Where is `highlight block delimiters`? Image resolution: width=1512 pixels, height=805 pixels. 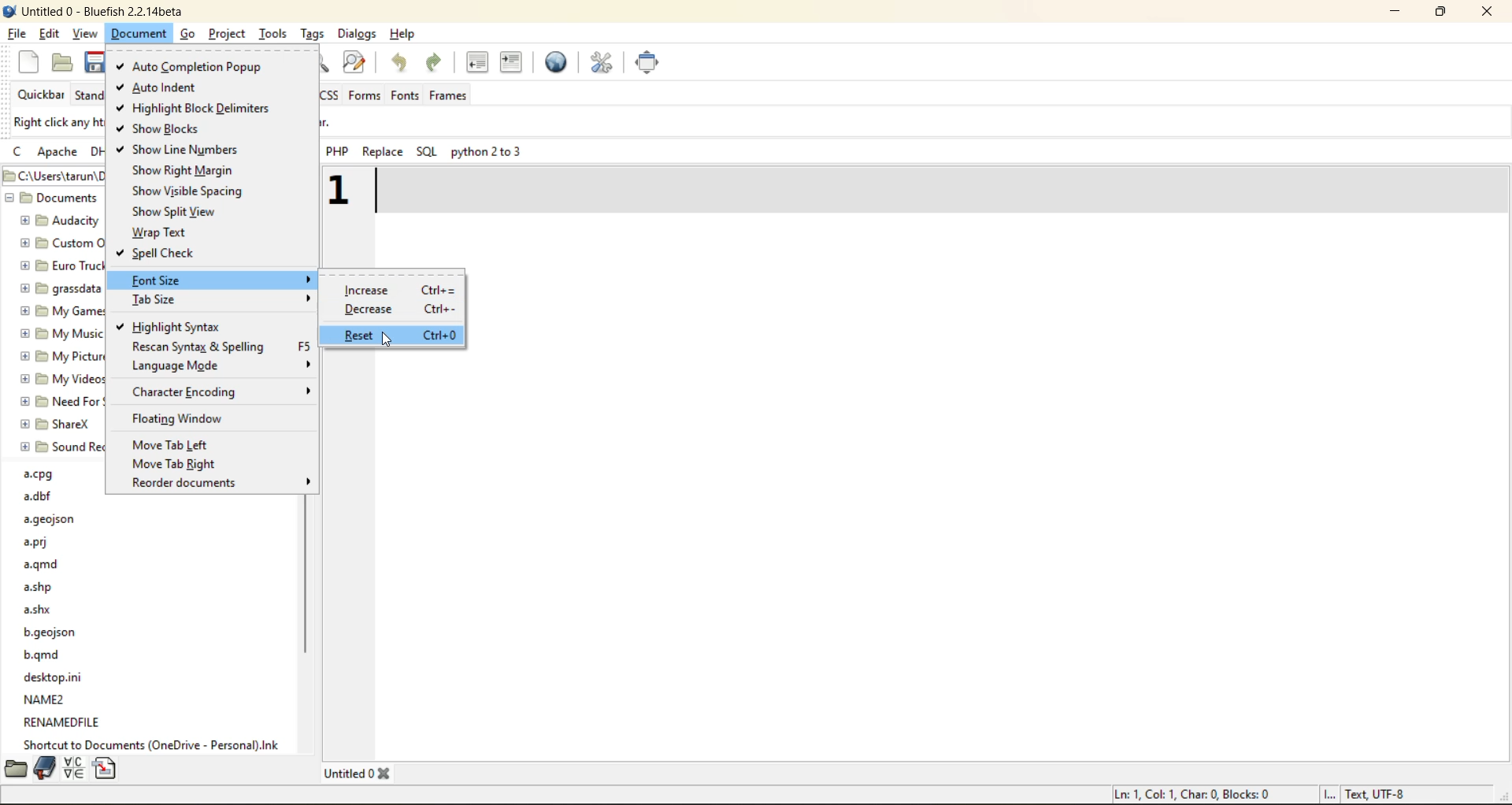 highlight block delimiters is located at coordinates (189, 108).